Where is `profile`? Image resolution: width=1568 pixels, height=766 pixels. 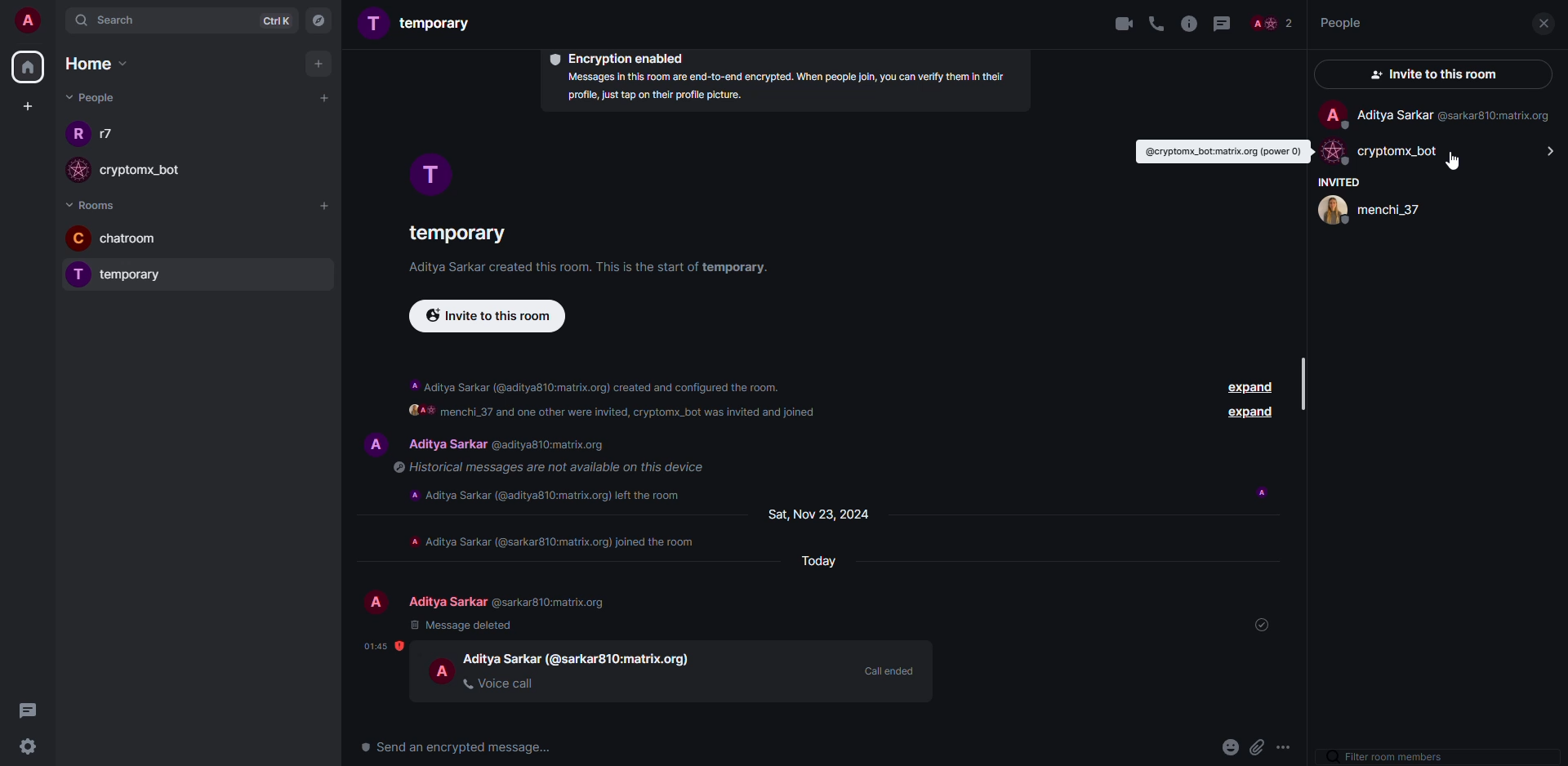
profile is located at coordinates (376, 603).